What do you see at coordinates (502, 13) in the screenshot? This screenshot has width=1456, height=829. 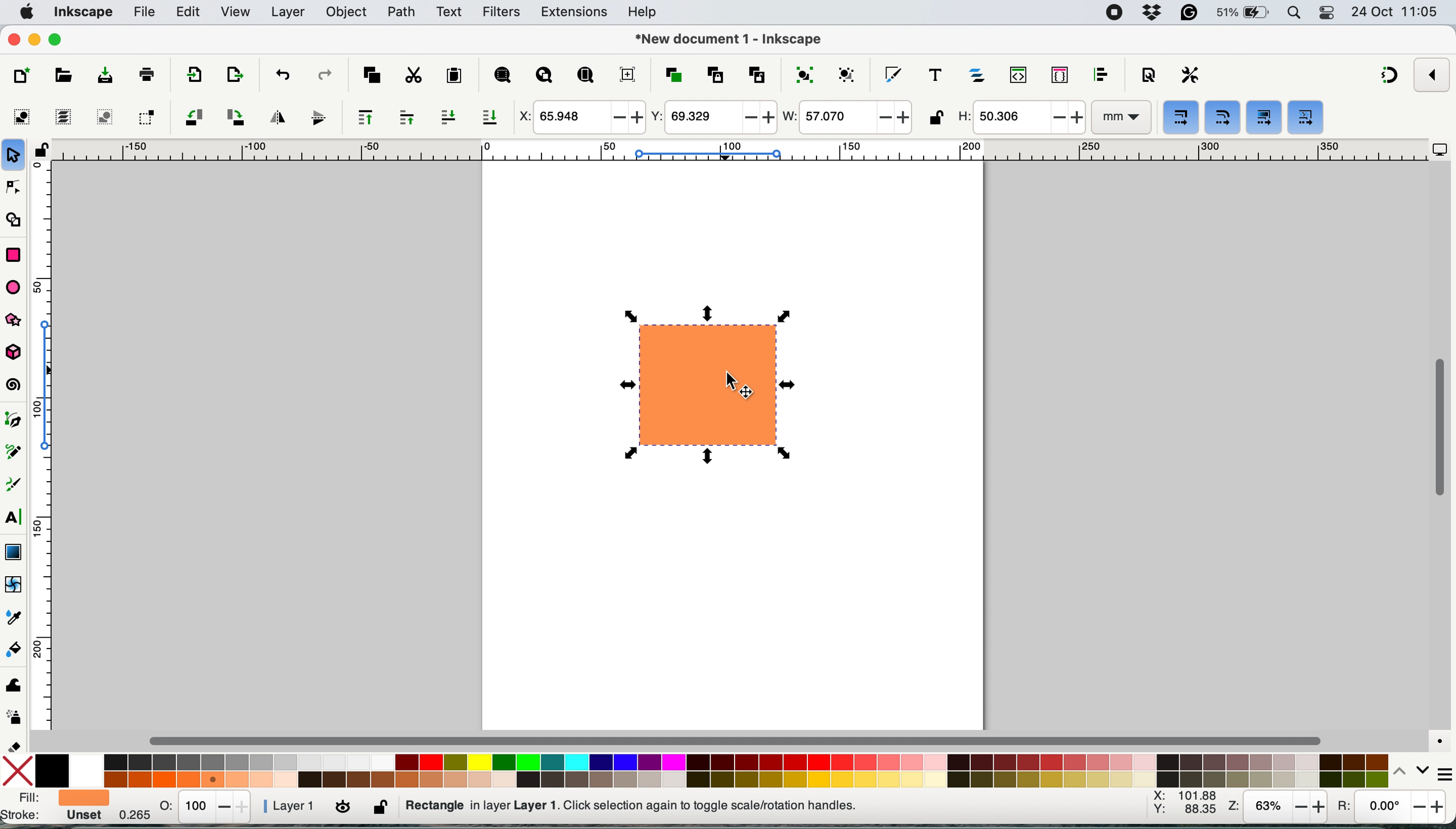 I see `filters` at bounding box center [502, 13].